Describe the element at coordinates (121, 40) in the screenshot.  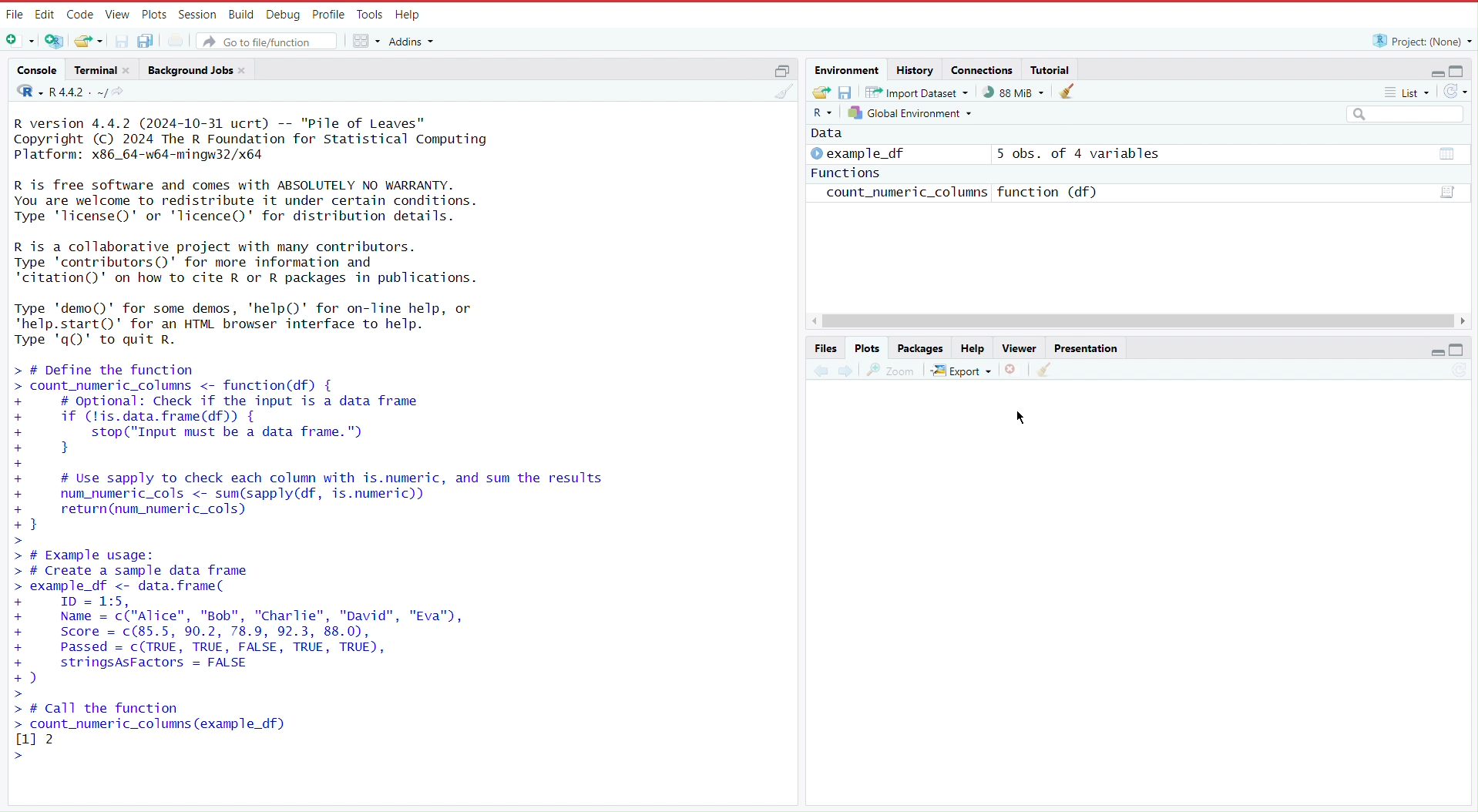
I see `Save current document (Ctrl + S)` at that location.